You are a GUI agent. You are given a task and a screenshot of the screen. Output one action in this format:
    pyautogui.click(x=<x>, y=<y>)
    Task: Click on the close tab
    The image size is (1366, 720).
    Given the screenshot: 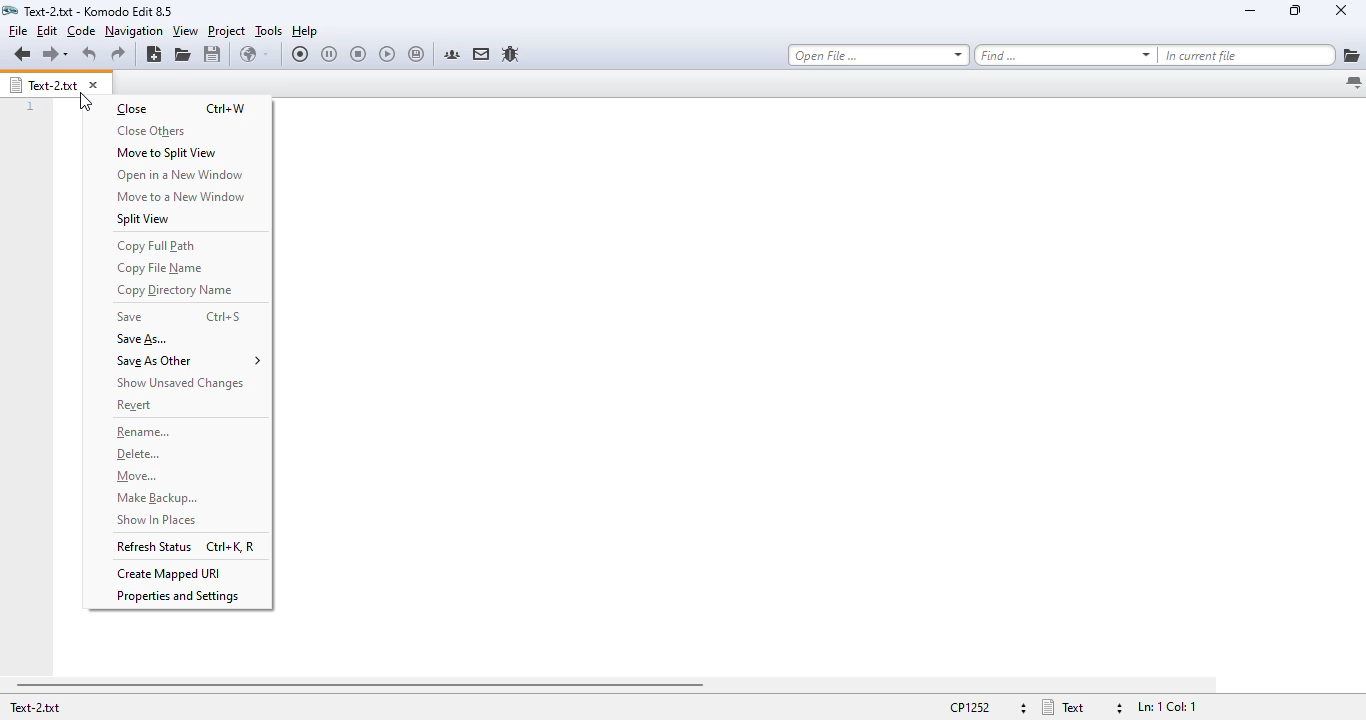 What is the action you would take?
    pyautogui.click(x=95, y=83)
    